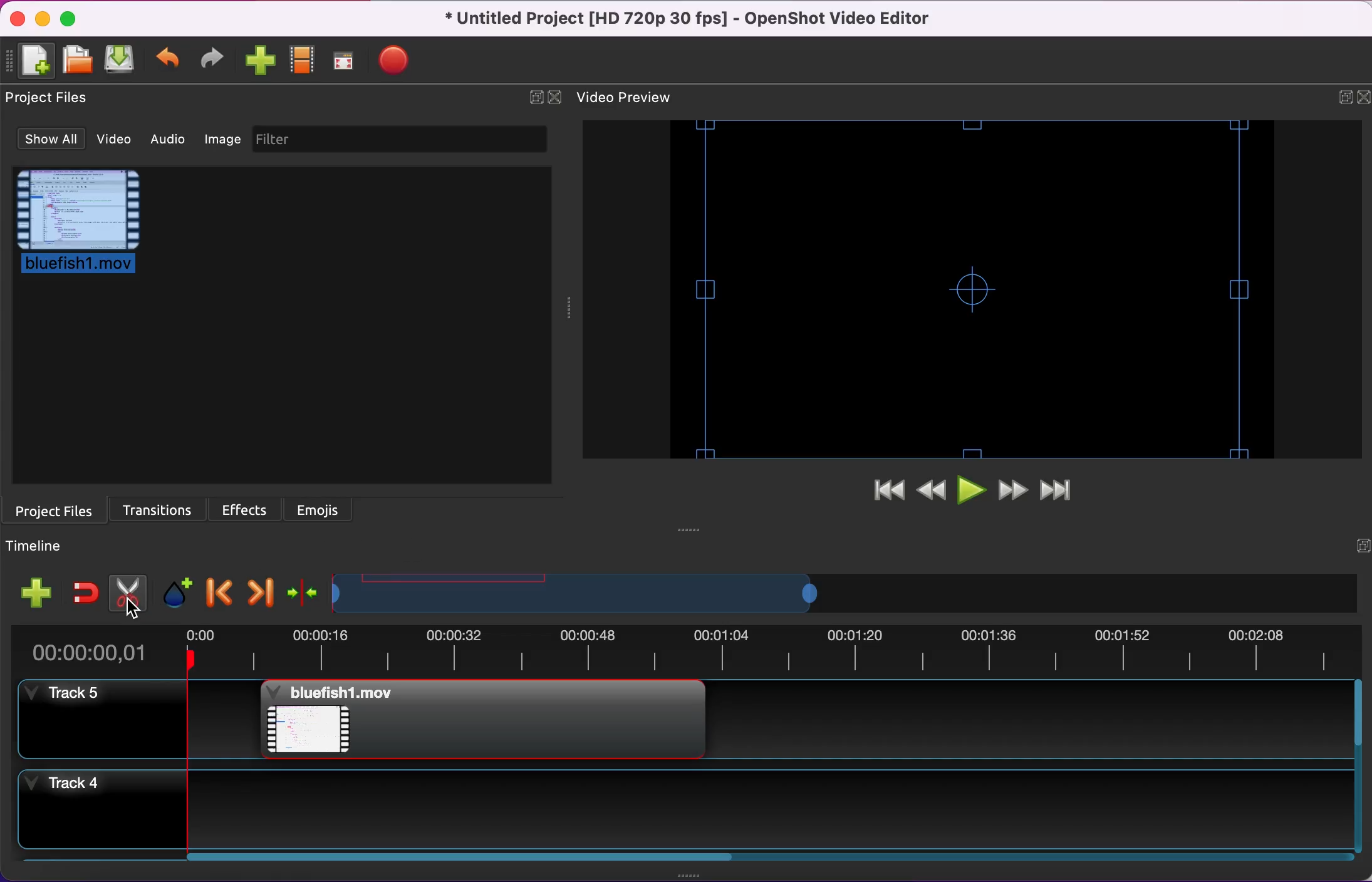 This screenshot has height=882, width=1372. I want to click on show all, so click(46, 140).